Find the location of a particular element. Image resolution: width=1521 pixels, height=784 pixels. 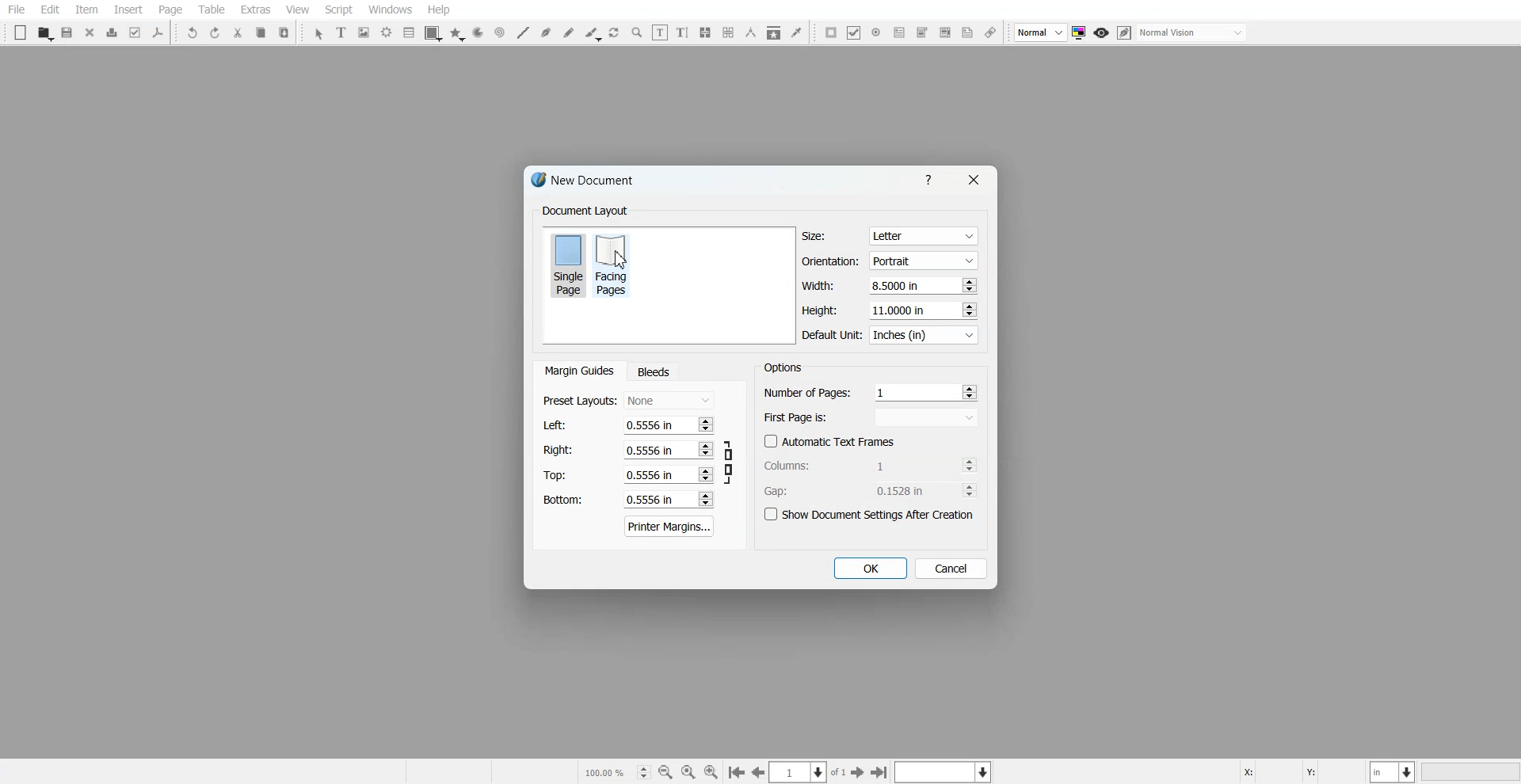

First Page is is located at coordinates (871, 417).